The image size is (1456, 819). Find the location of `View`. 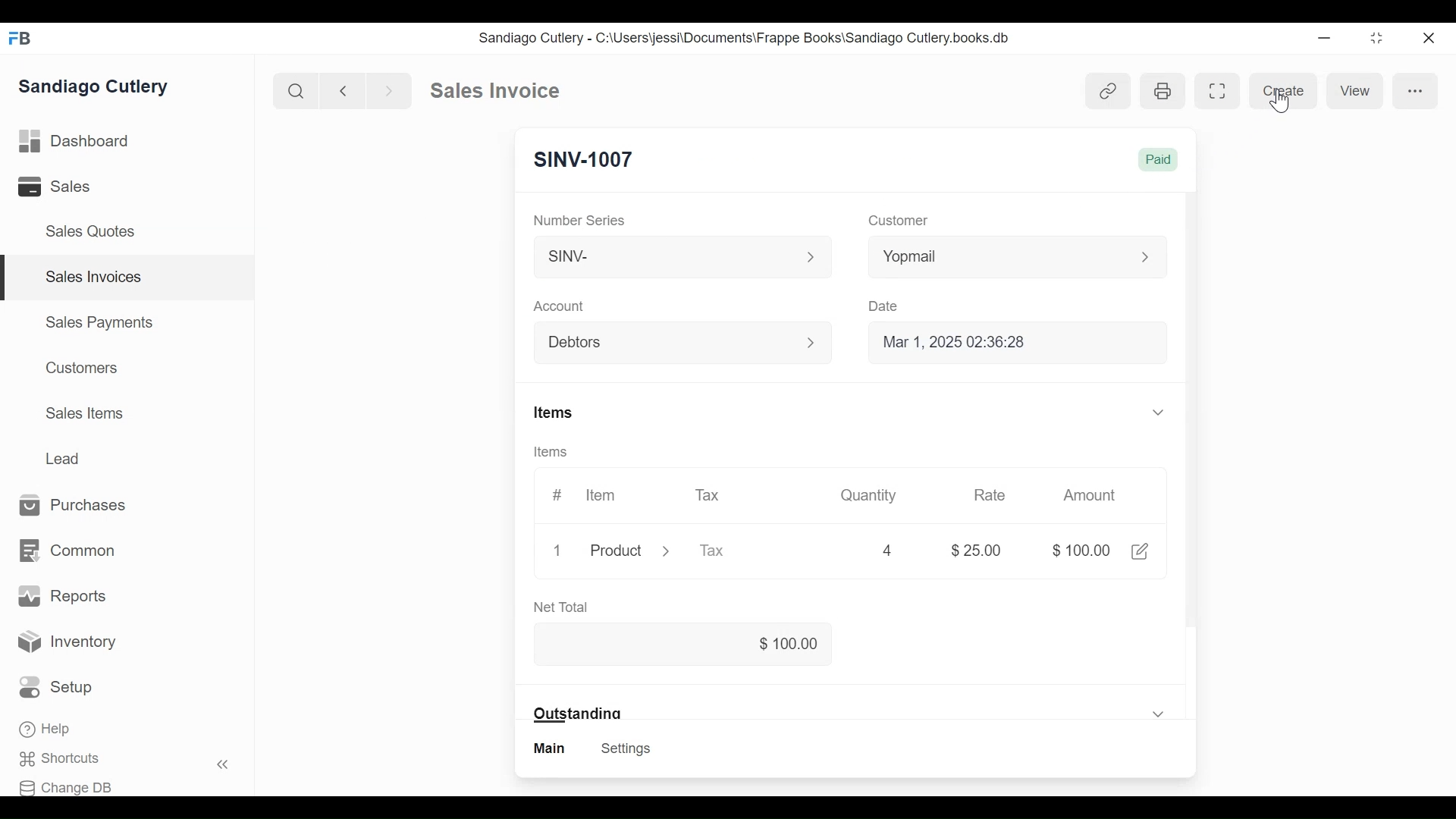

View is located at coordinates (1356, 91).